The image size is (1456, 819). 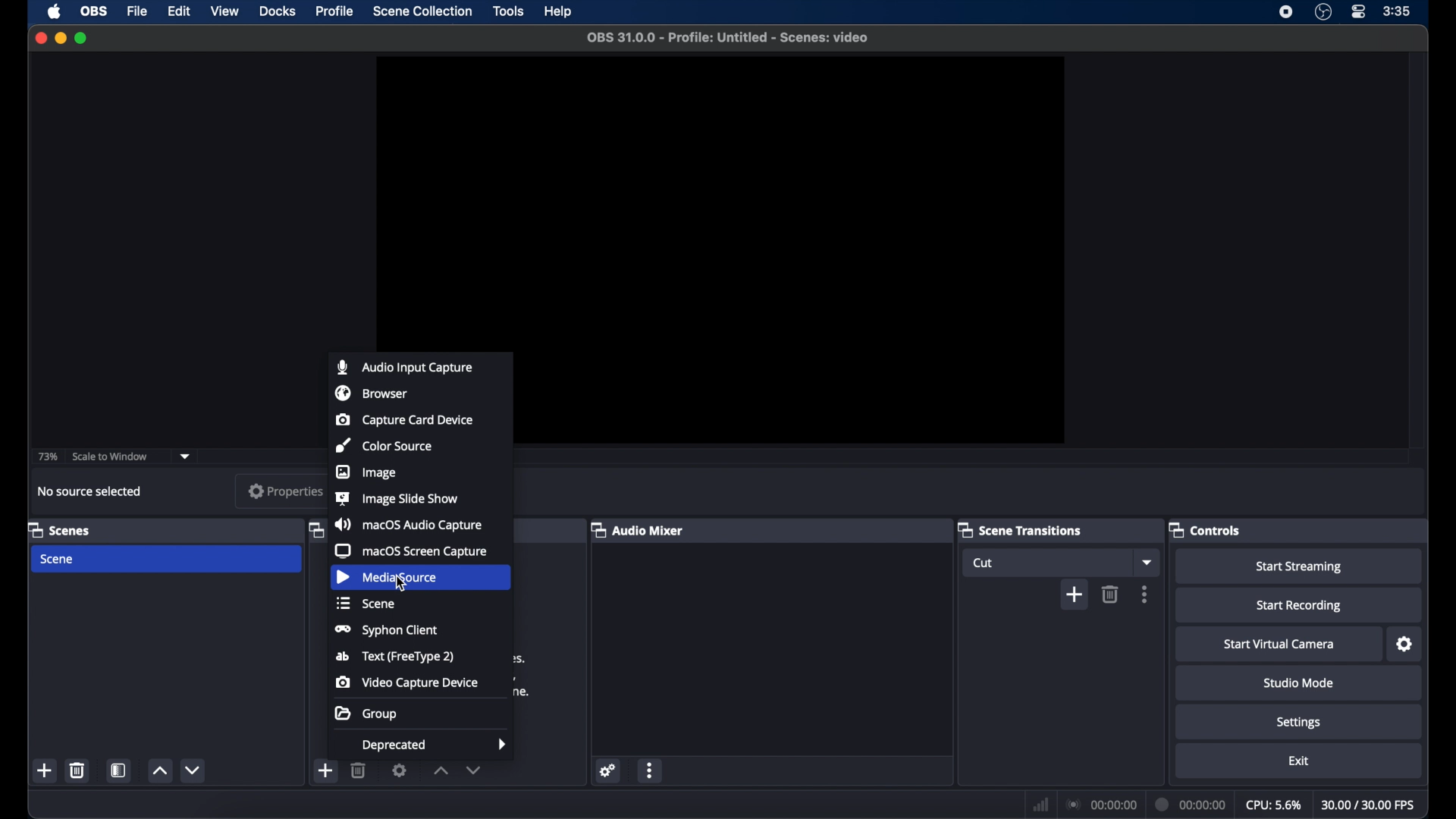 What do you see at coordinates (47, 457) in the screenshot?
I see `73%` at bounding box center [47, 457].